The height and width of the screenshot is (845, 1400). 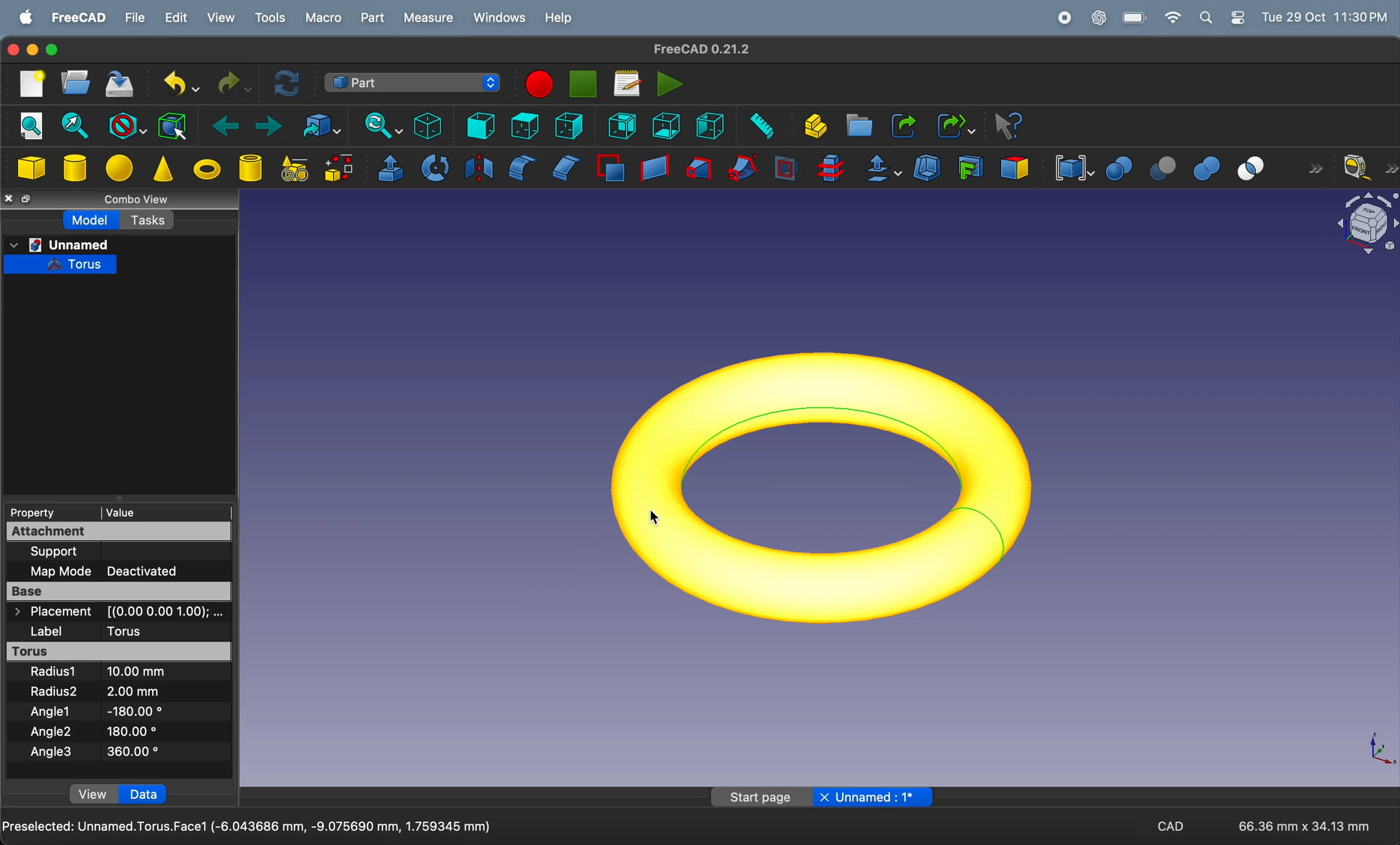 What do you see at coordinates (830, 169) in the screenshot?
I see `cross section` at bounding box center [830, 169].